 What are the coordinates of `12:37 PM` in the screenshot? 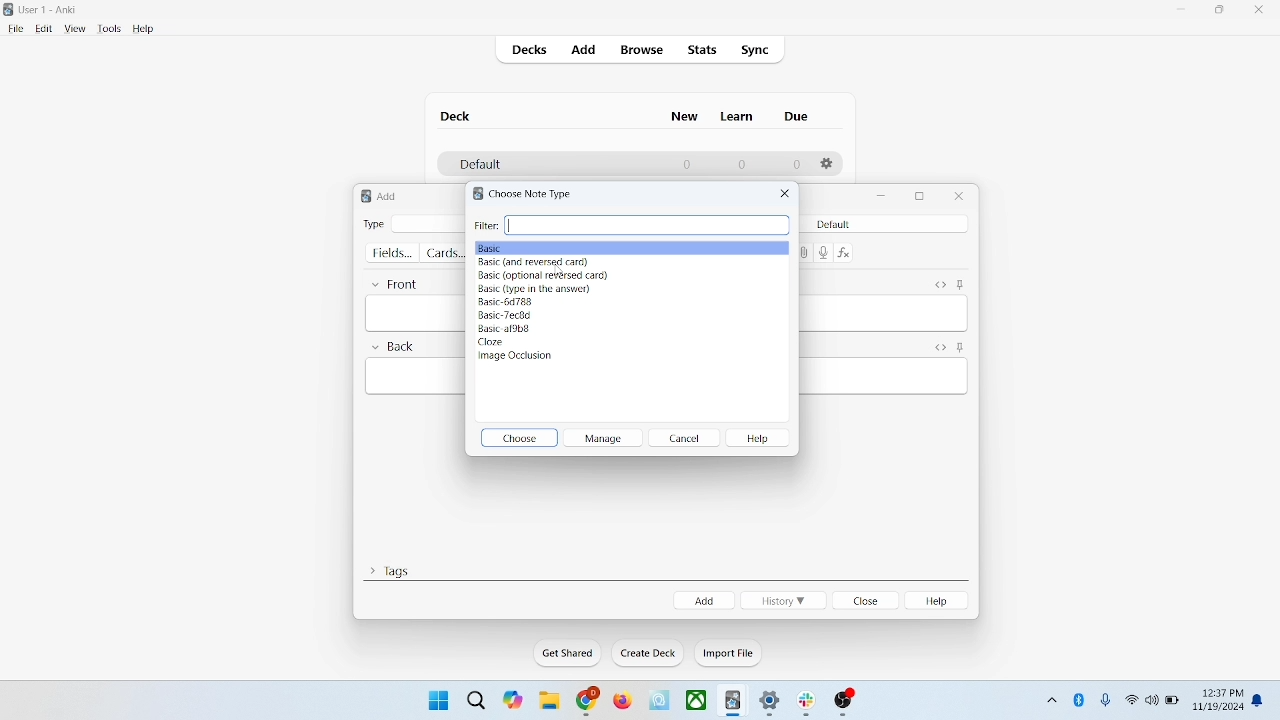 It's located at (1221, 693).